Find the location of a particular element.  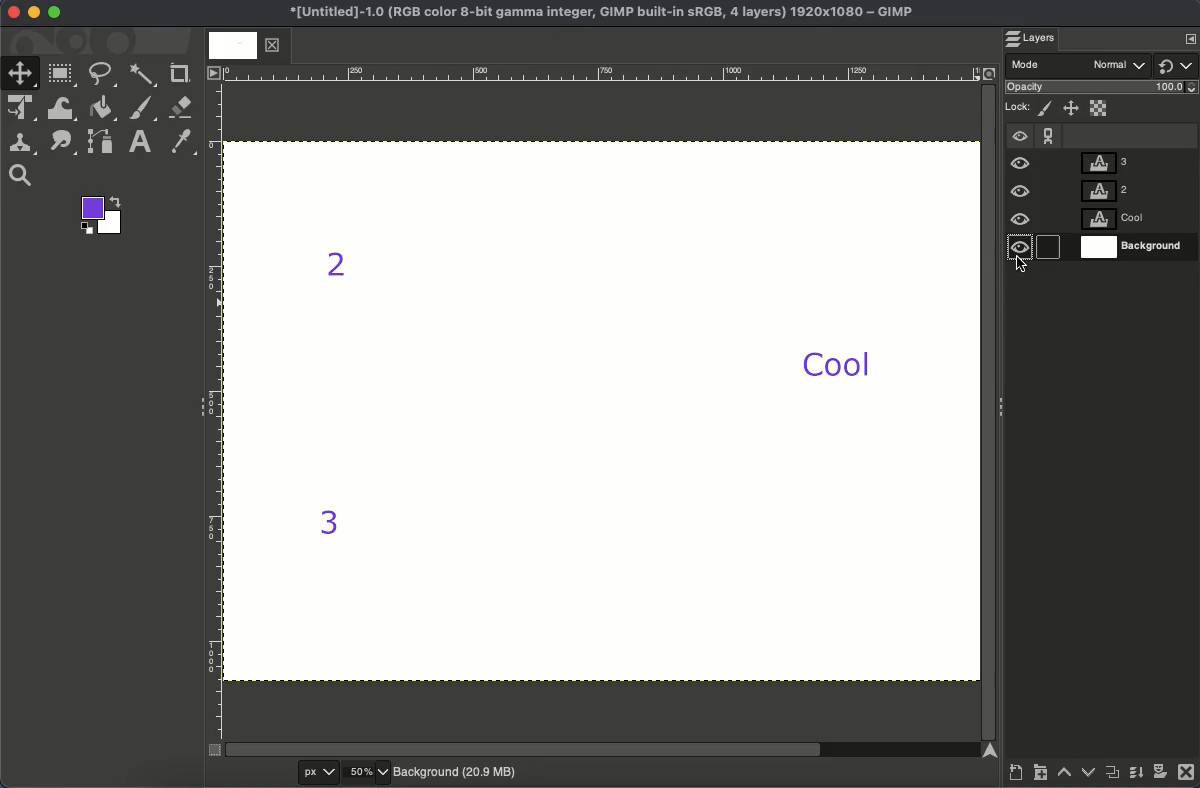

Fuzzy select is located at coordinates (142, 75).